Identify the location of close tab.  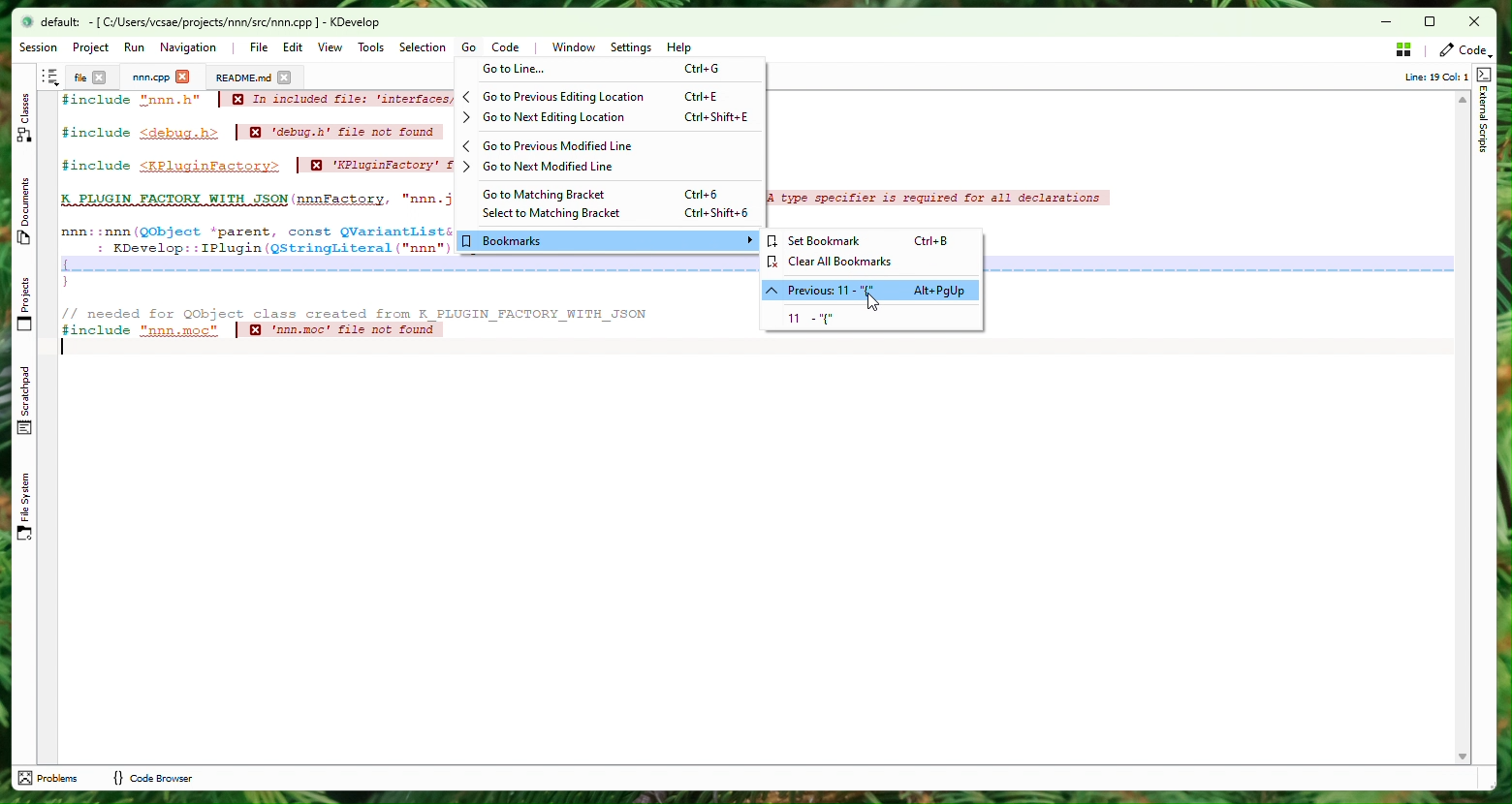
(285, 77).